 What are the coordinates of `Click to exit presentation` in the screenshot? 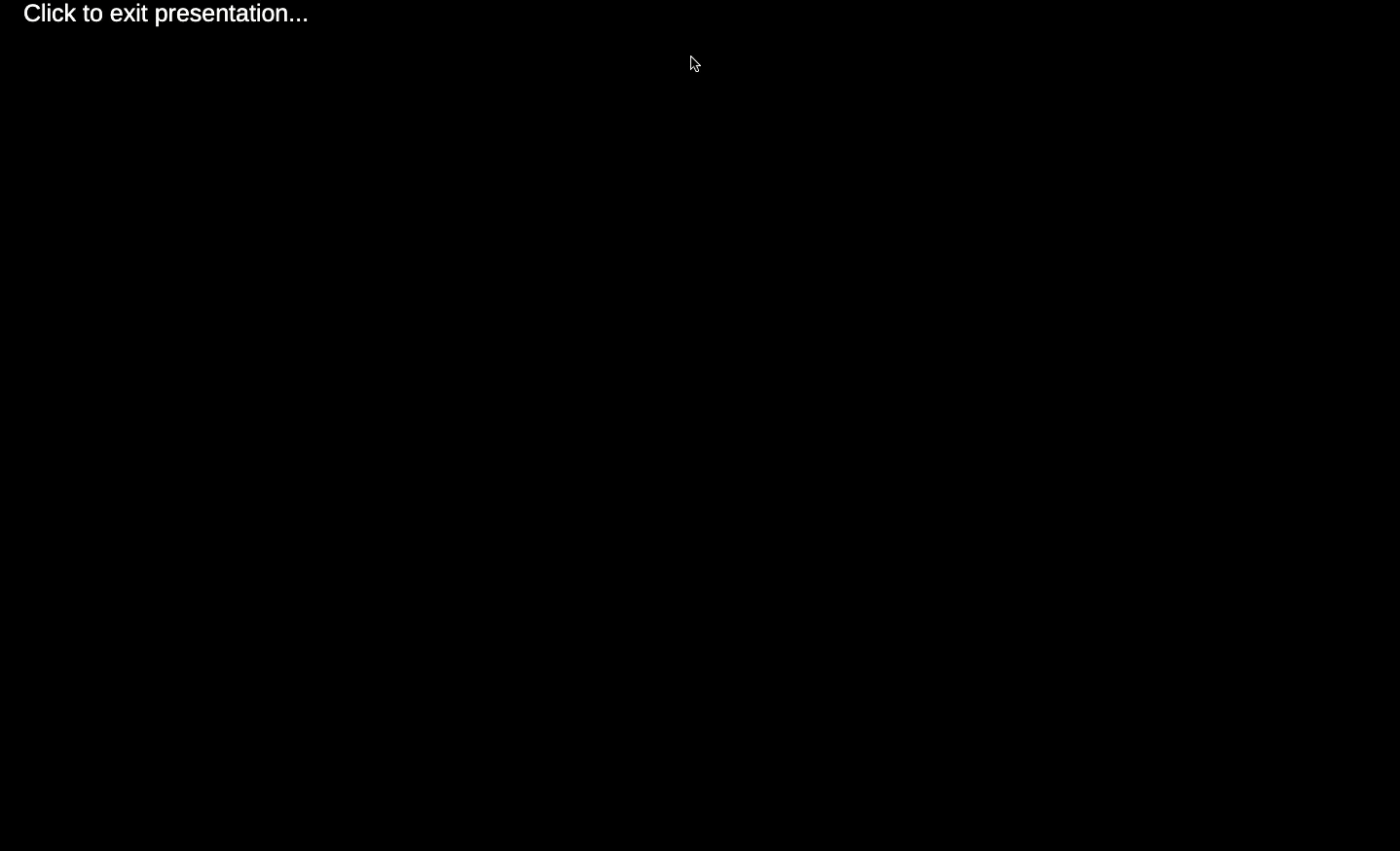 It's located at (170, 17).